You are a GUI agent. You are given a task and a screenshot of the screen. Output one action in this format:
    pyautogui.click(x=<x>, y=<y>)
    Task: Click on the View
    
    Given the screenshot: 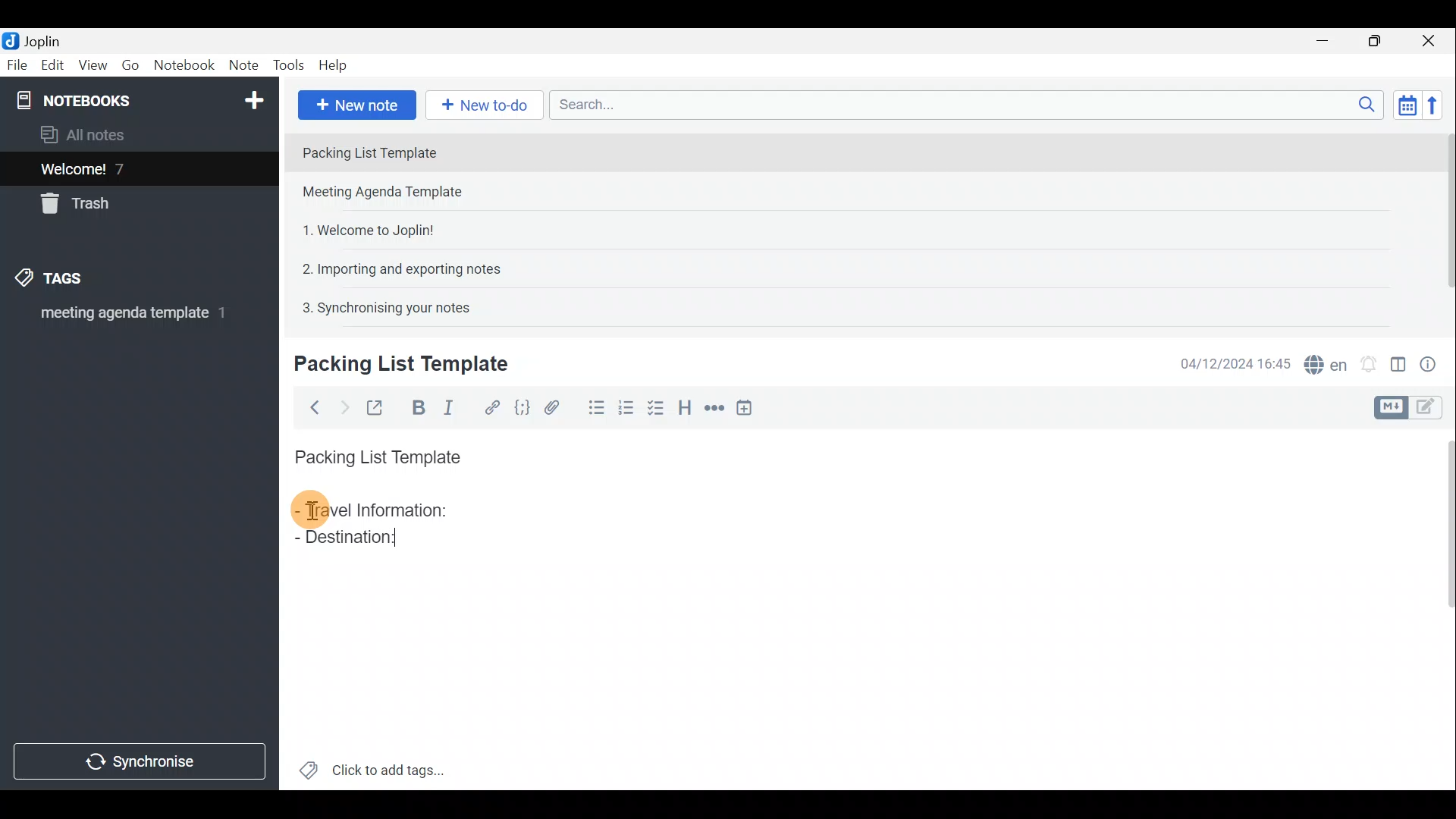 What is the action you would take?
    pyautogui.click(x=94, y=65)
    